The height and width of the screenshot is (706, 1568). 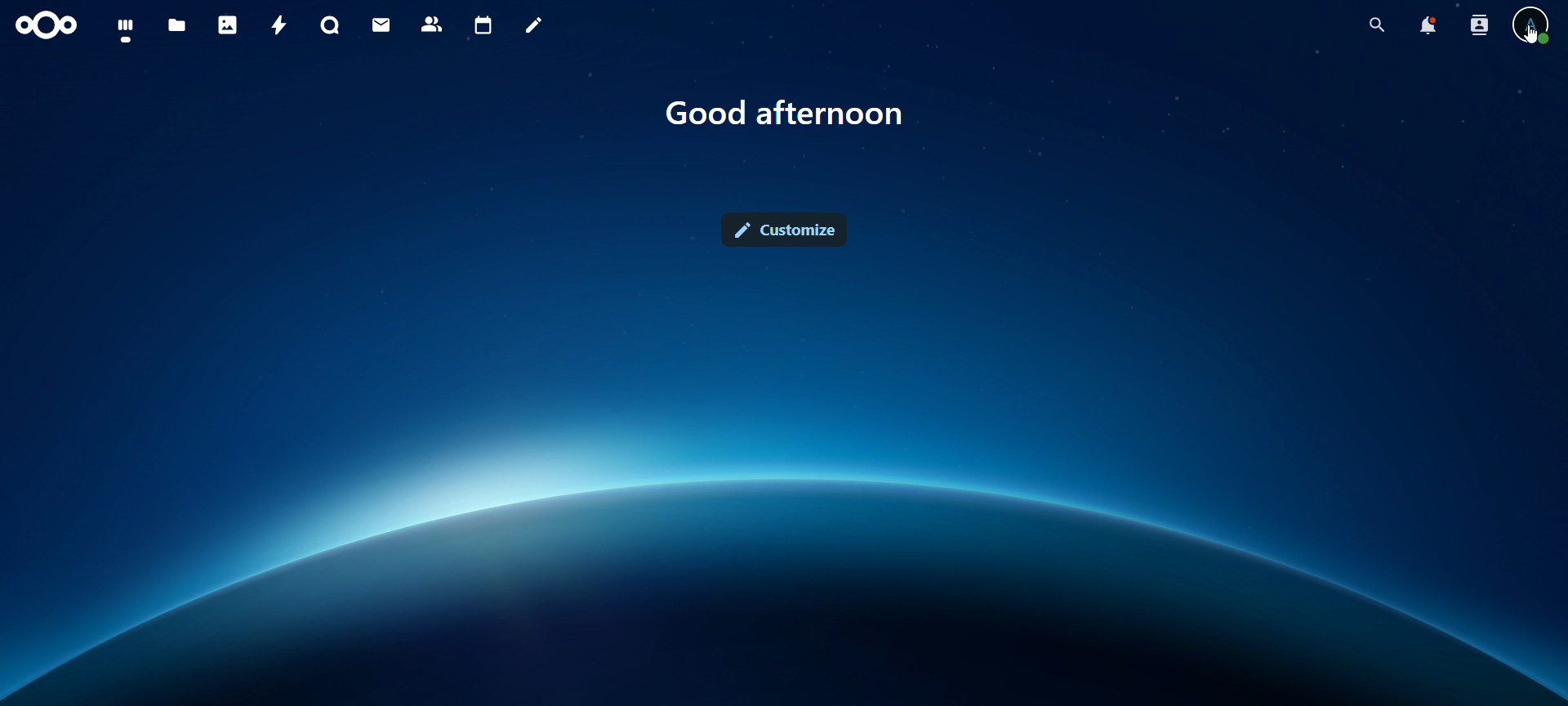 What do you see at coordinates (332, 26) in the screenshot?
I see `talk` at bounding box center [332, 26].